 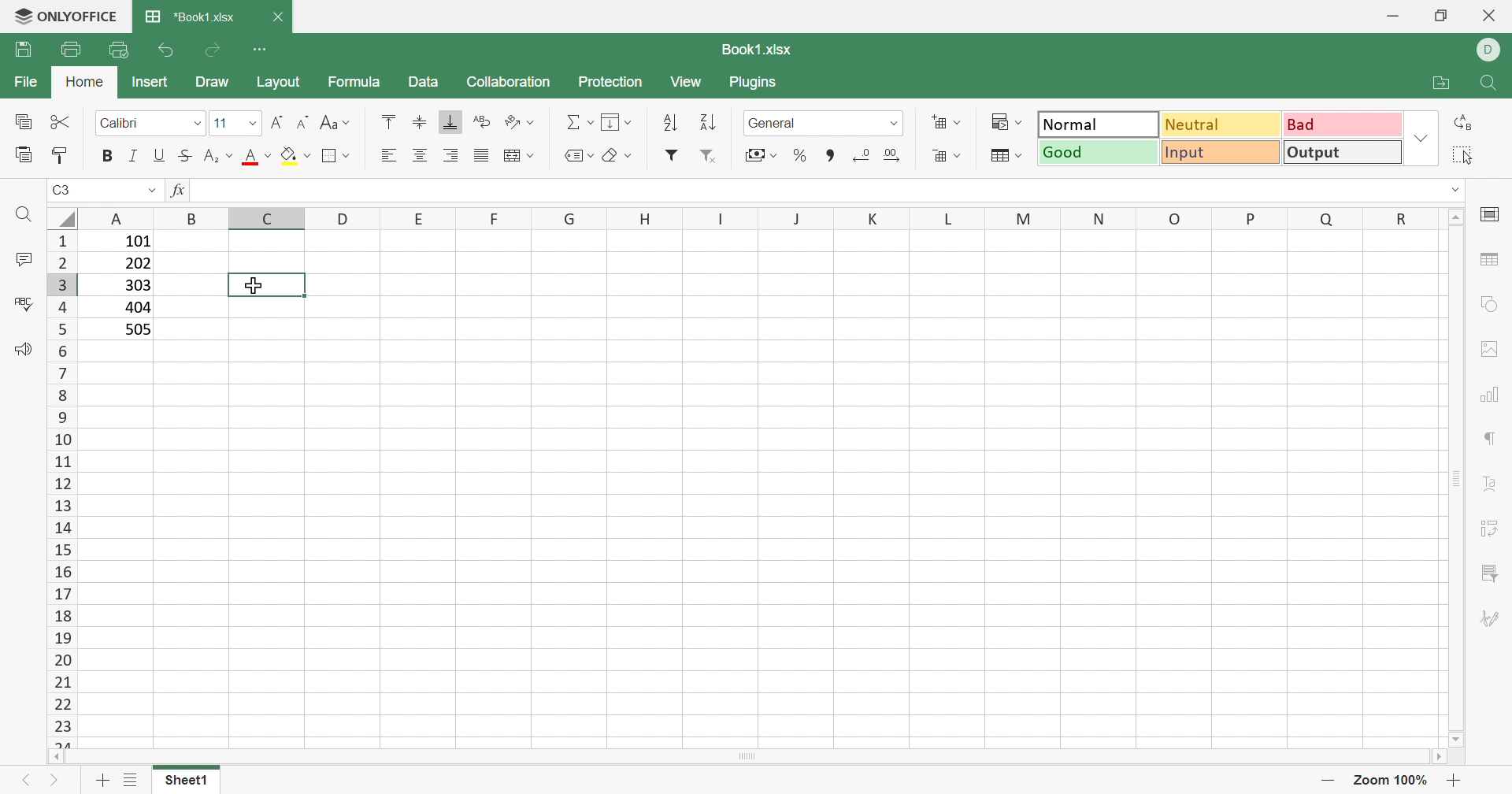 What do you see at coordinates (1492, 347) in the screenshot?
I see `image settings` at bounding box center [1492, 347].